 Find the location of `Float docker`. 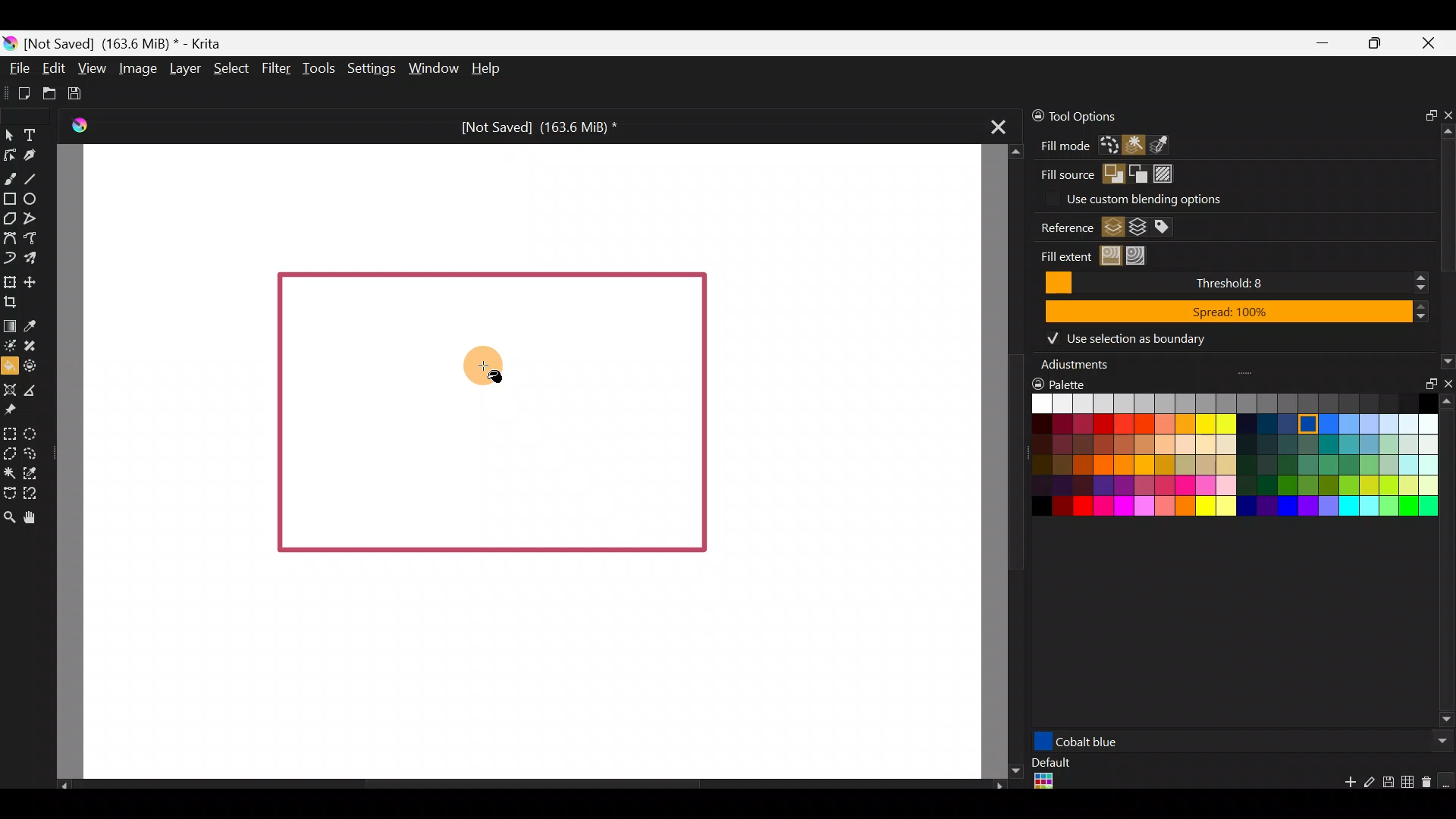

Float docker is located at coordinates (1425, 113).